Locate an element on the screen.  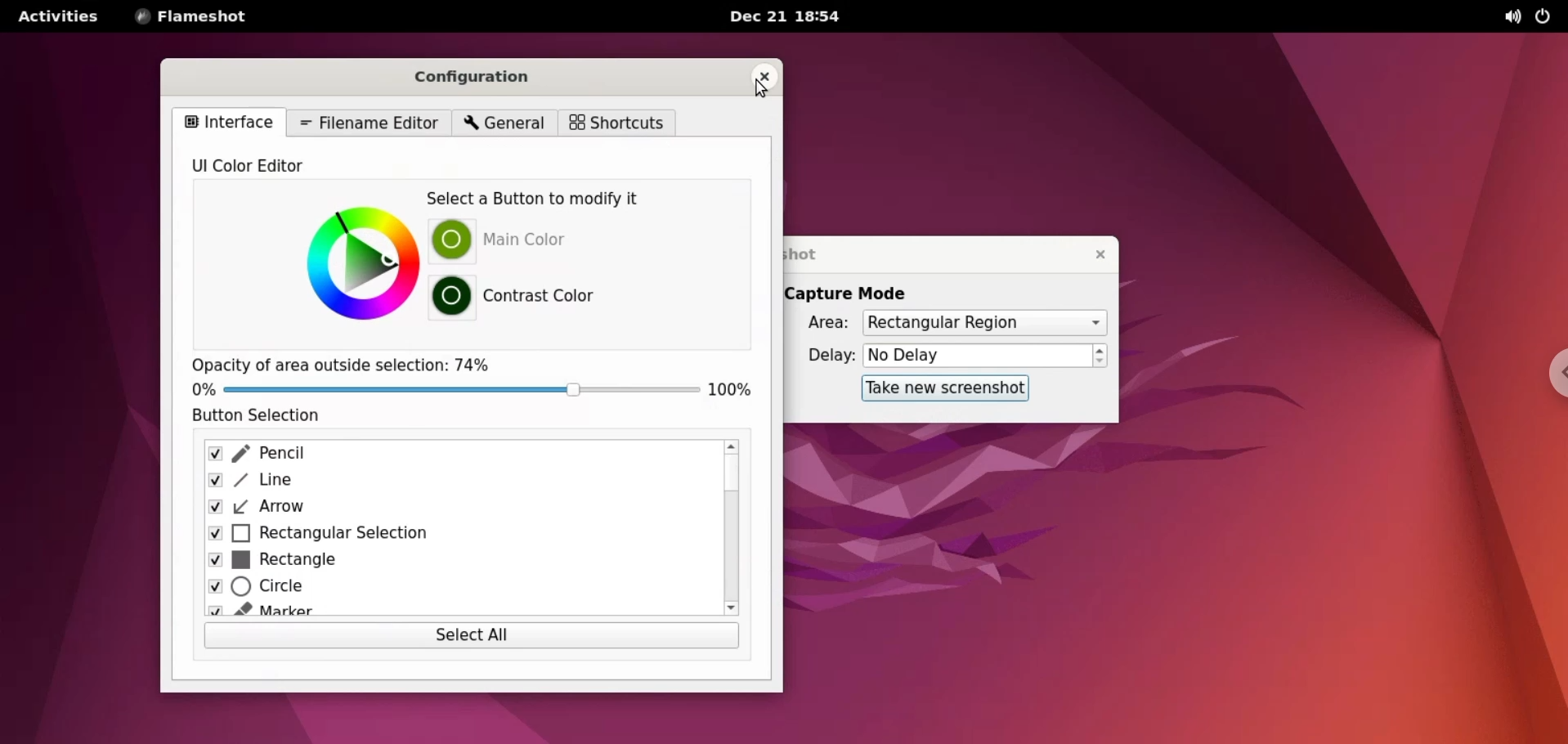
take new screenshot is located at coordinates (943, 388).